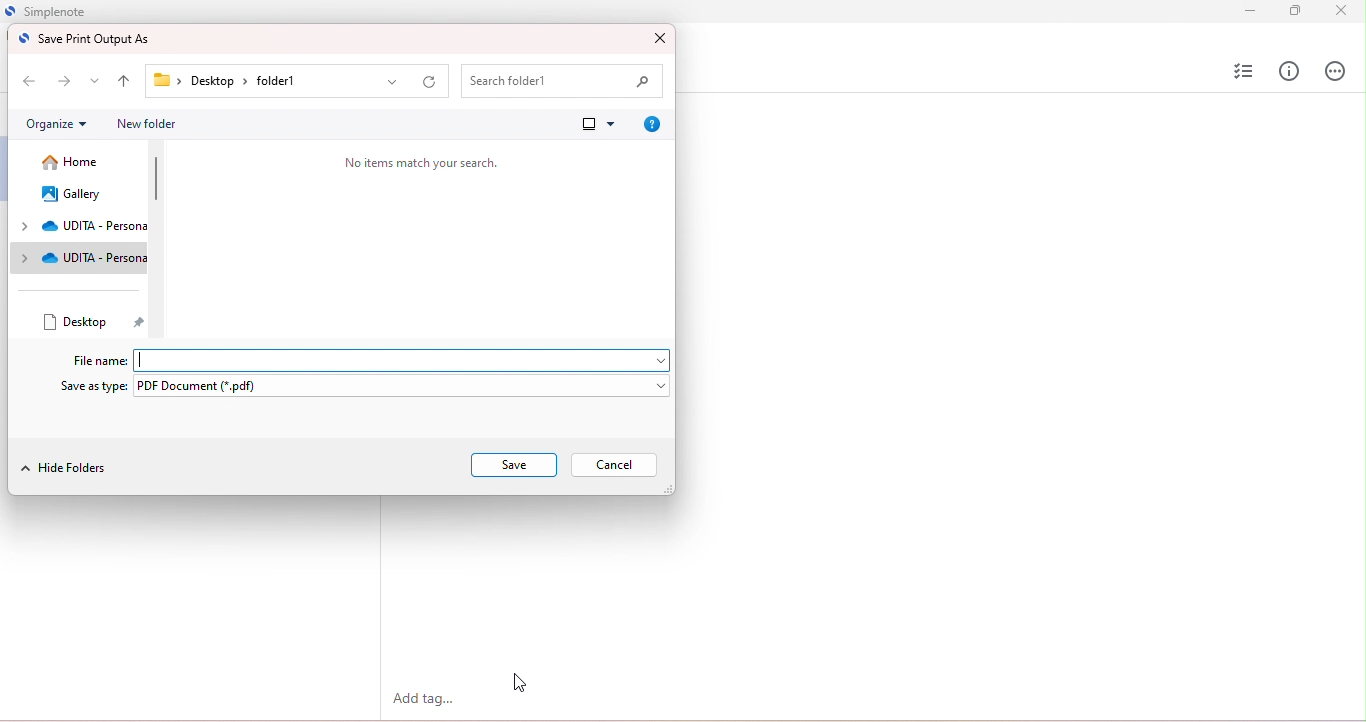  Describe the element at coordinates (56, 124) in the screenshot. I see `organize` at that location.